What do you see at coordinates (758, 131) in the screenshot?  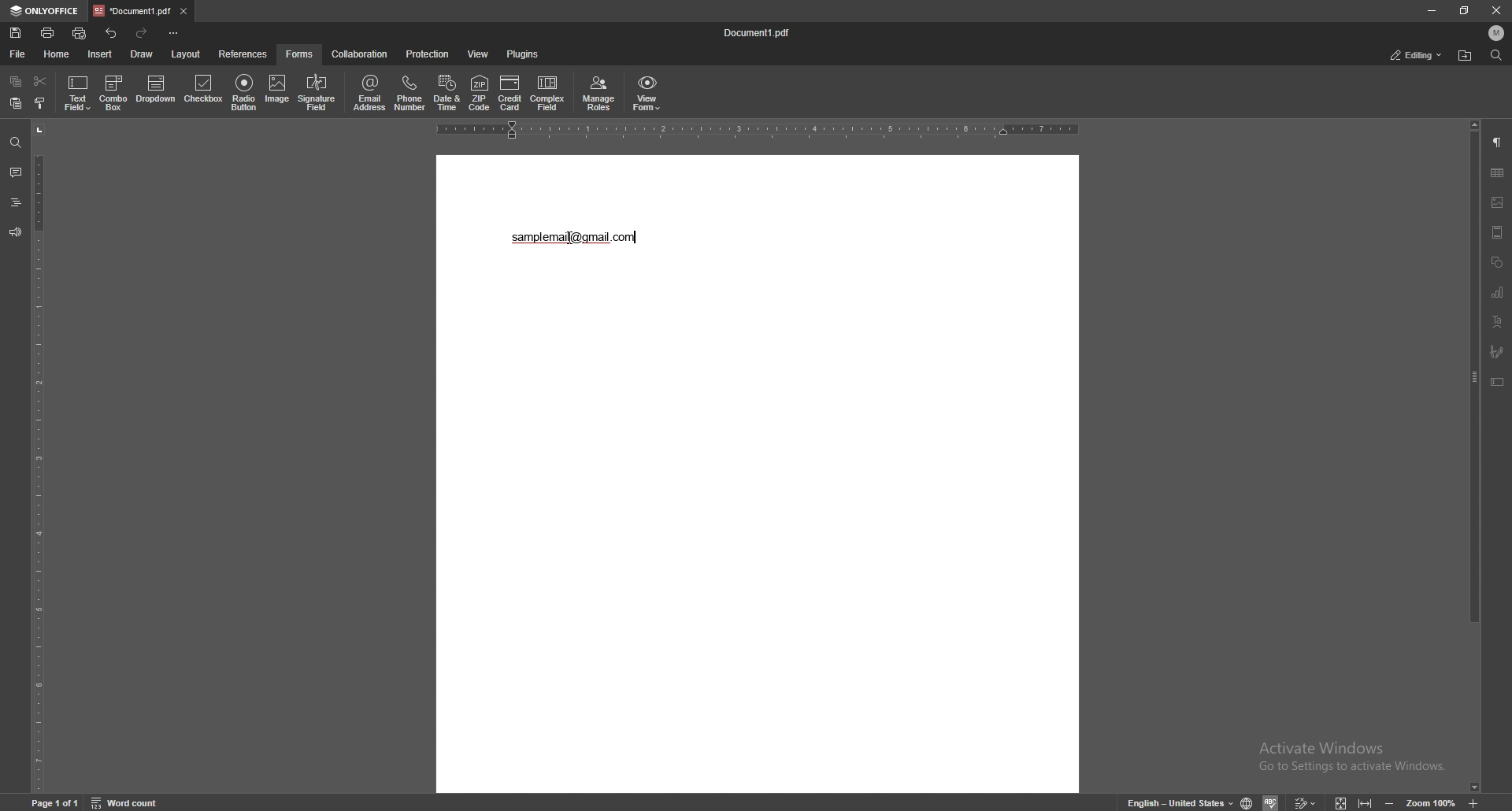 I see `horizontal scale` at bounding box center [758, 131].